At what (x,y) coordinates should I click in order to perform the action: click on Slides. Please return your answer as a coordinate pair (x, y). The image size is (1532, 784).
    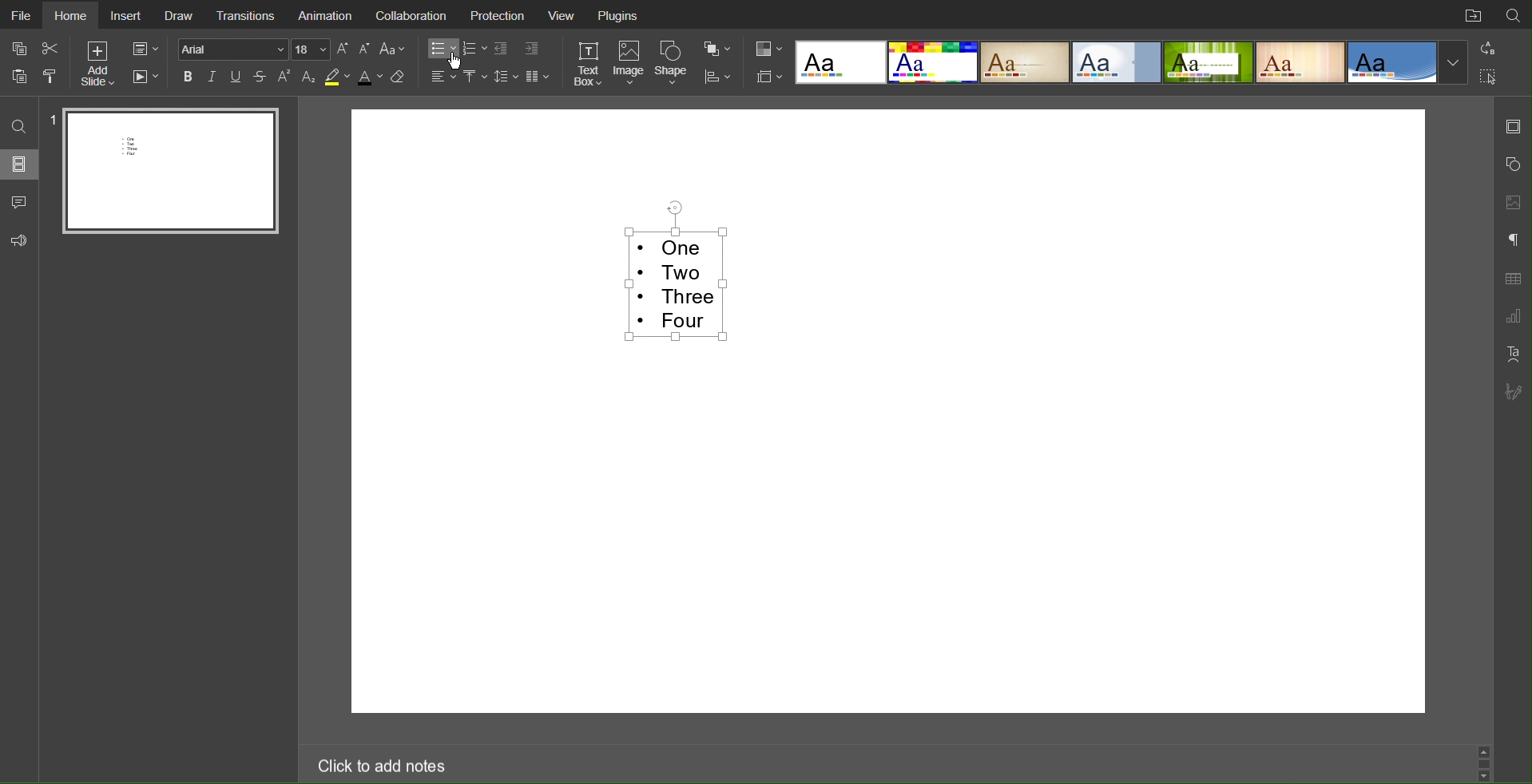
    Looking at the image, I should click on (22, 164).